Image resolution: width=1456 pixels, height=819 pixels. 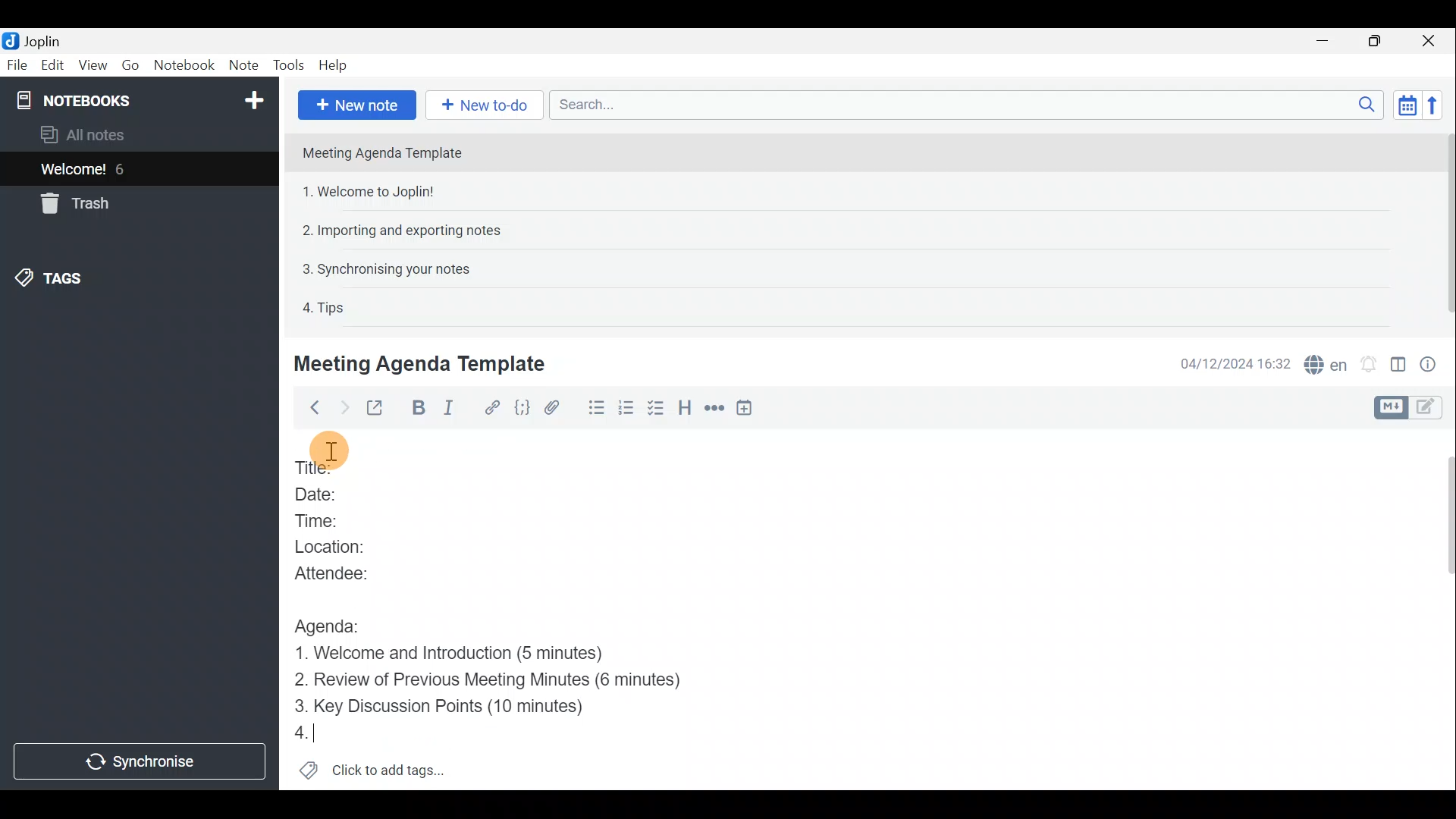 What do you see at coordinates (142, 99) in the screenshot?
I see `Notebooks` at bounding box center [142, 99].